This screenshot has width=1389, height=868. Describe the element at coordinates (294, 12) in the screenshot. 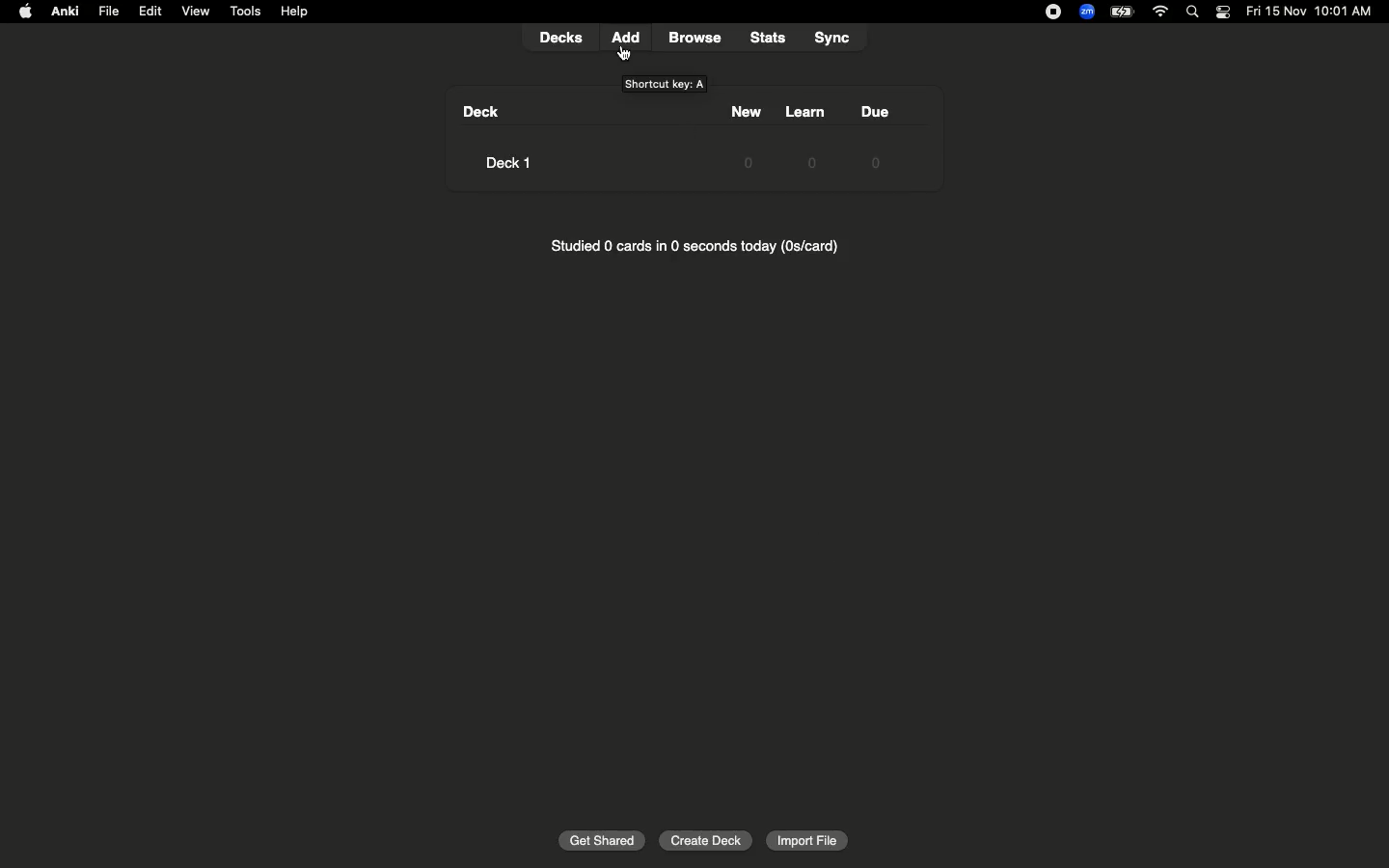

I see `Help` at that location.